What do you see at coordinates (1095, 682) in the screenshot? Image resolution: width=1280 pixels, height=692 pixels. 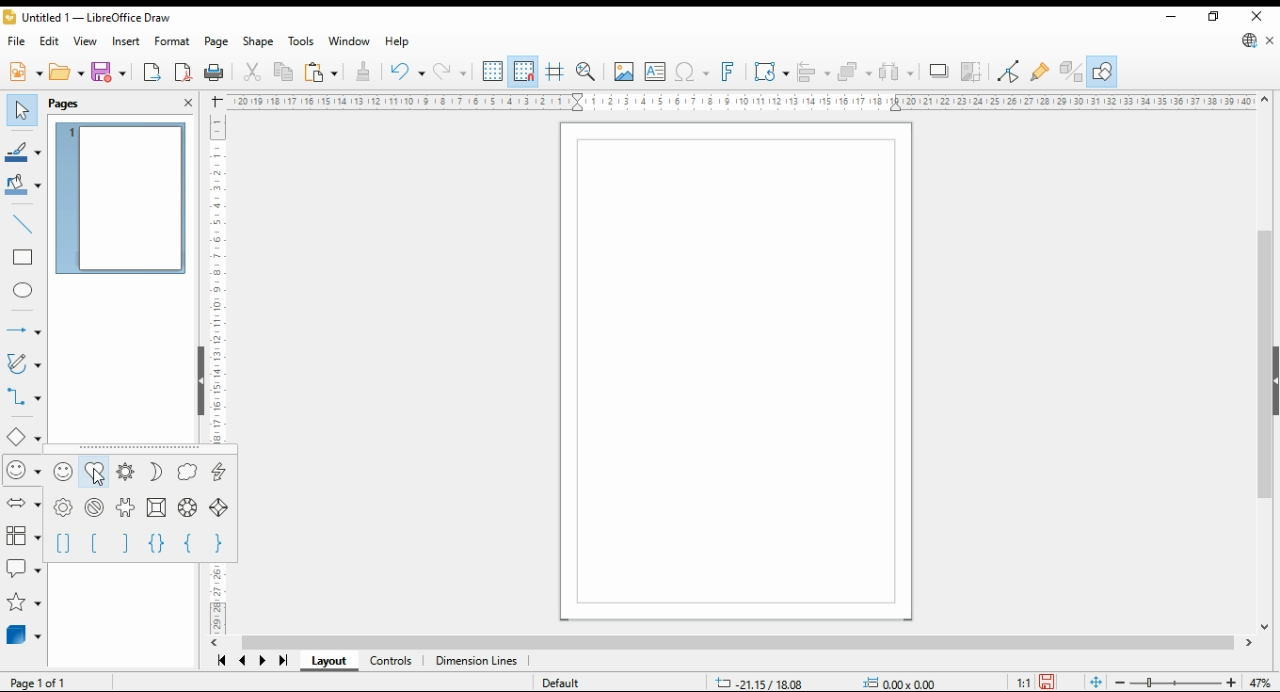 I see `fit page to window` at bounding box center [1095, 682].